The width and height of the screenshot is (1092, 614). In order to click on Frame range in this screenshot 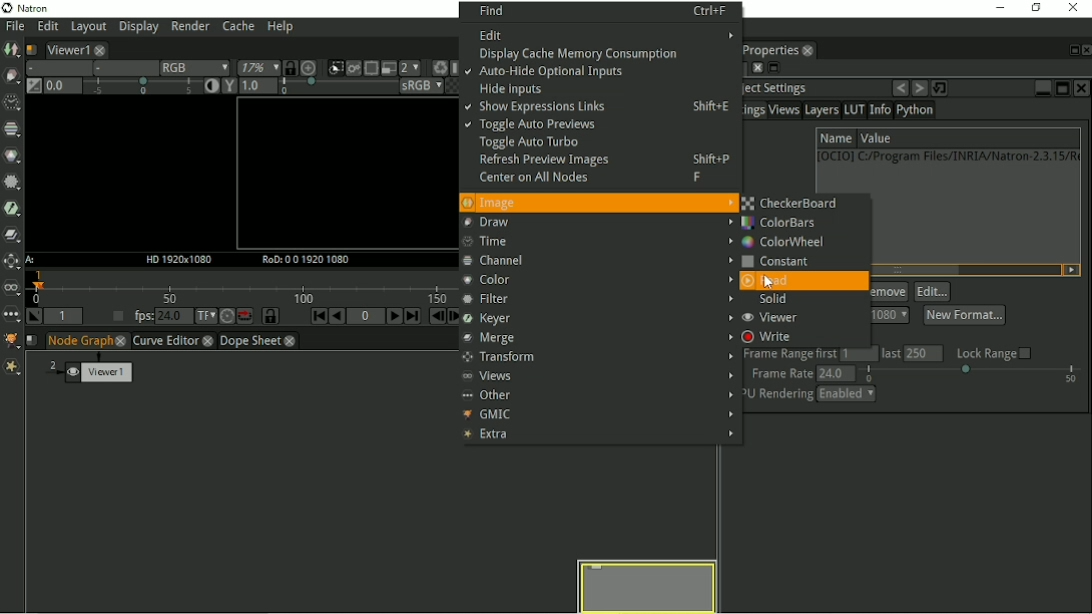, I will do `click(848, 354)`.